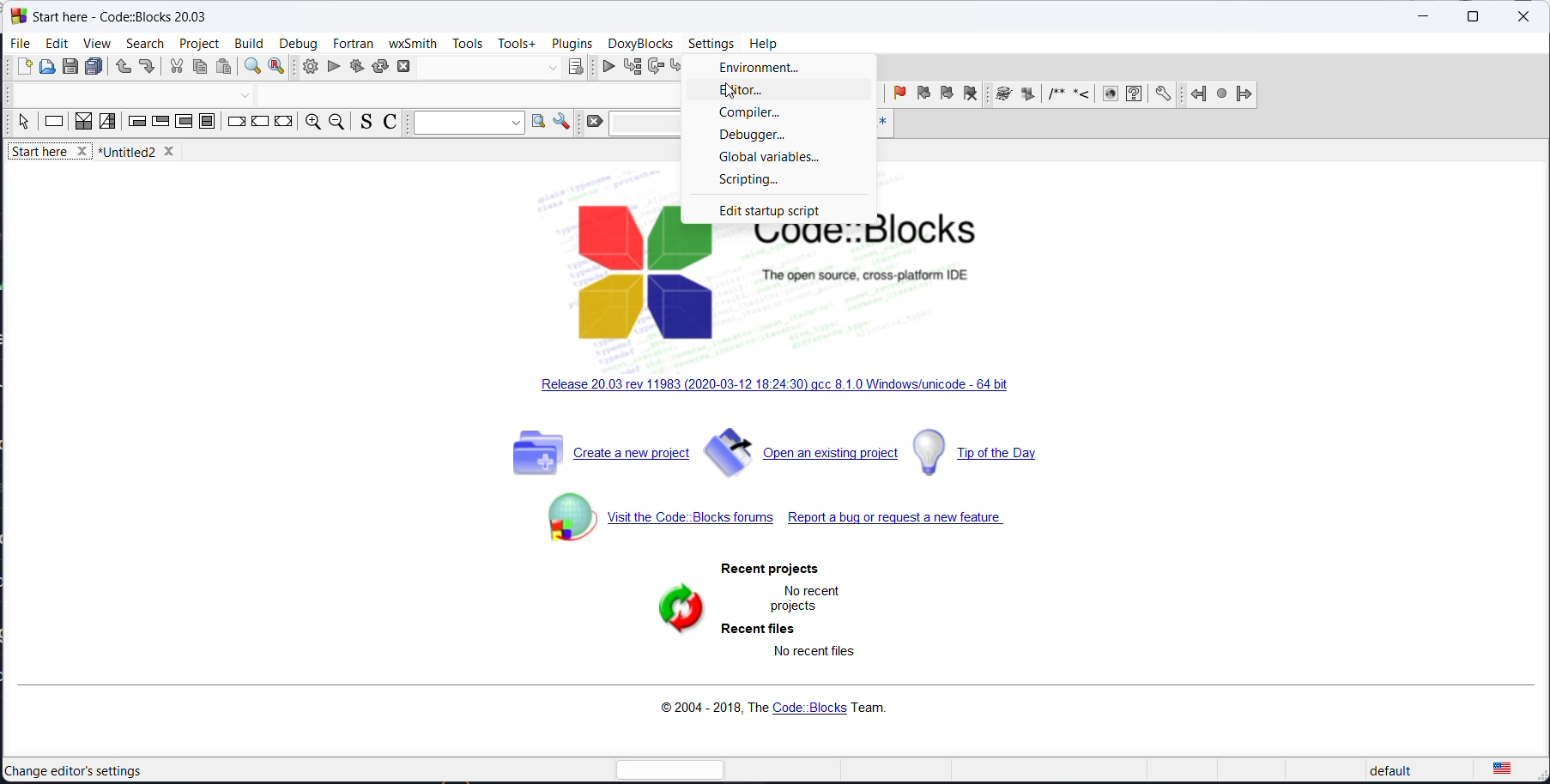 The width and height of the screenshot is (1550, 784). I want to click on recent projects, so click(773, 569).